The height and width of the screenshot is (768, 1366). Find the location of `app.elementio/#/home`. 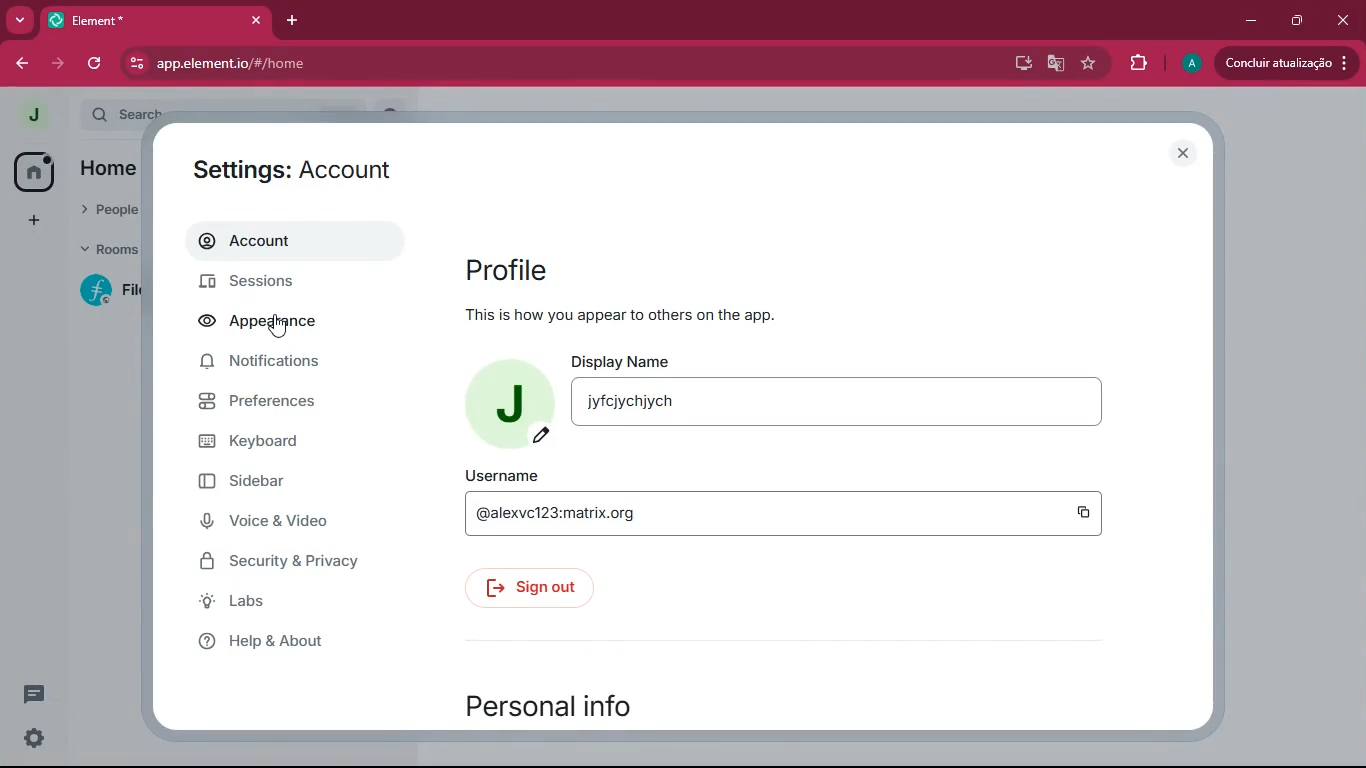

app.elementio/#/home is located at coordinates (365, 65).